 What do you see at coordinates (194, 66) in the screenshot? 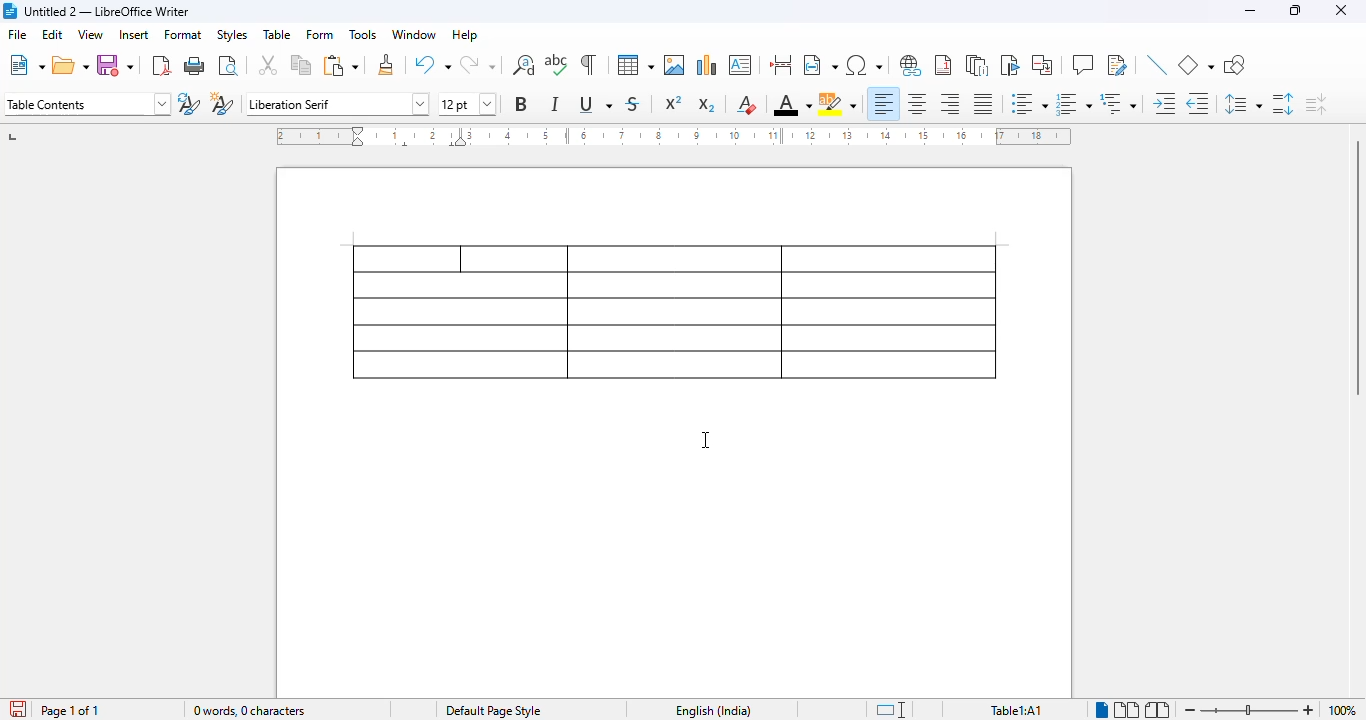
I see `print` at bounding box center [194, 66].